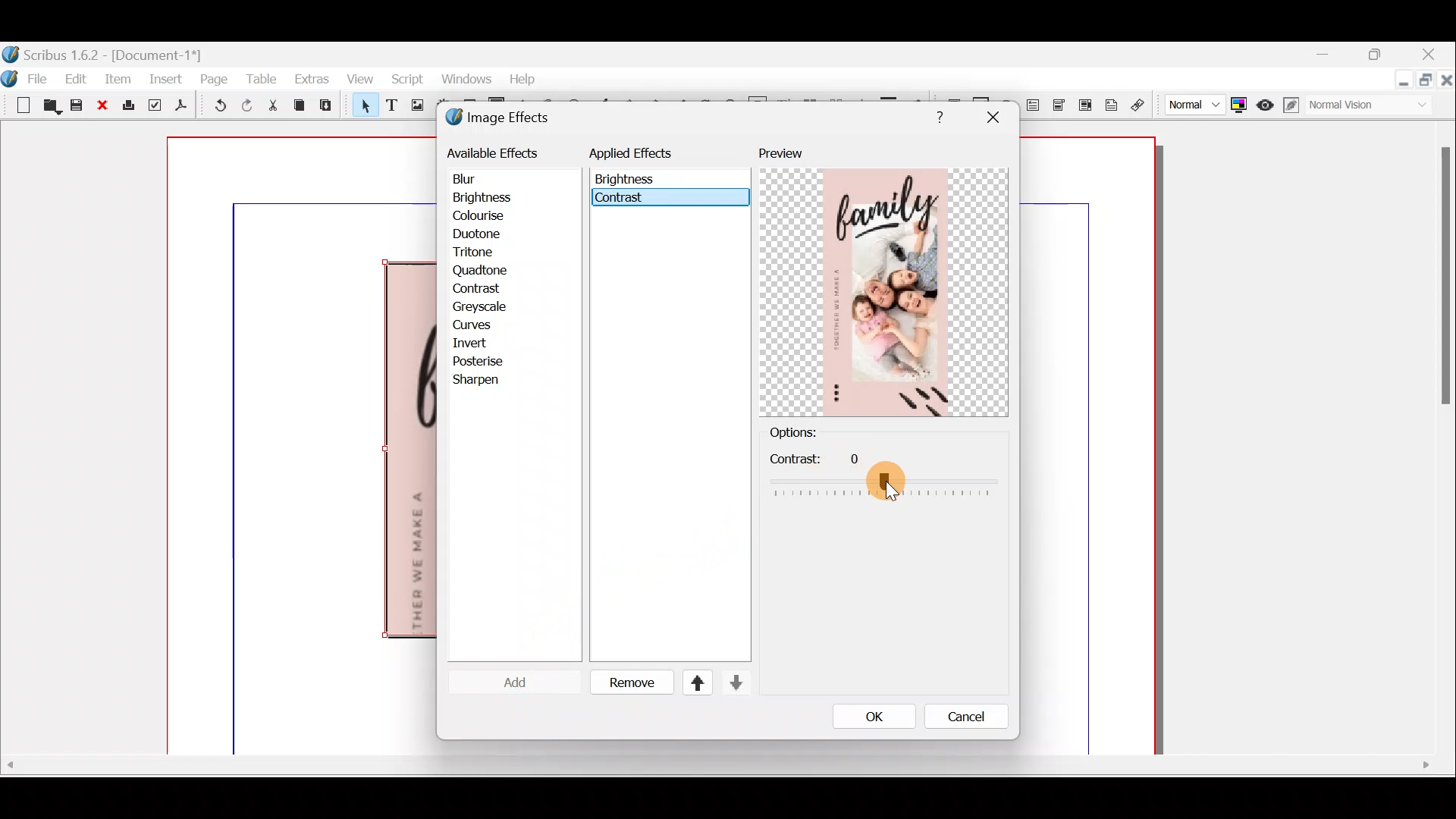 The height and width of the screenshot is (819, 1456). Describe the element at coordinates (1430, 56) in the screenshot. I see `Close` at that location.